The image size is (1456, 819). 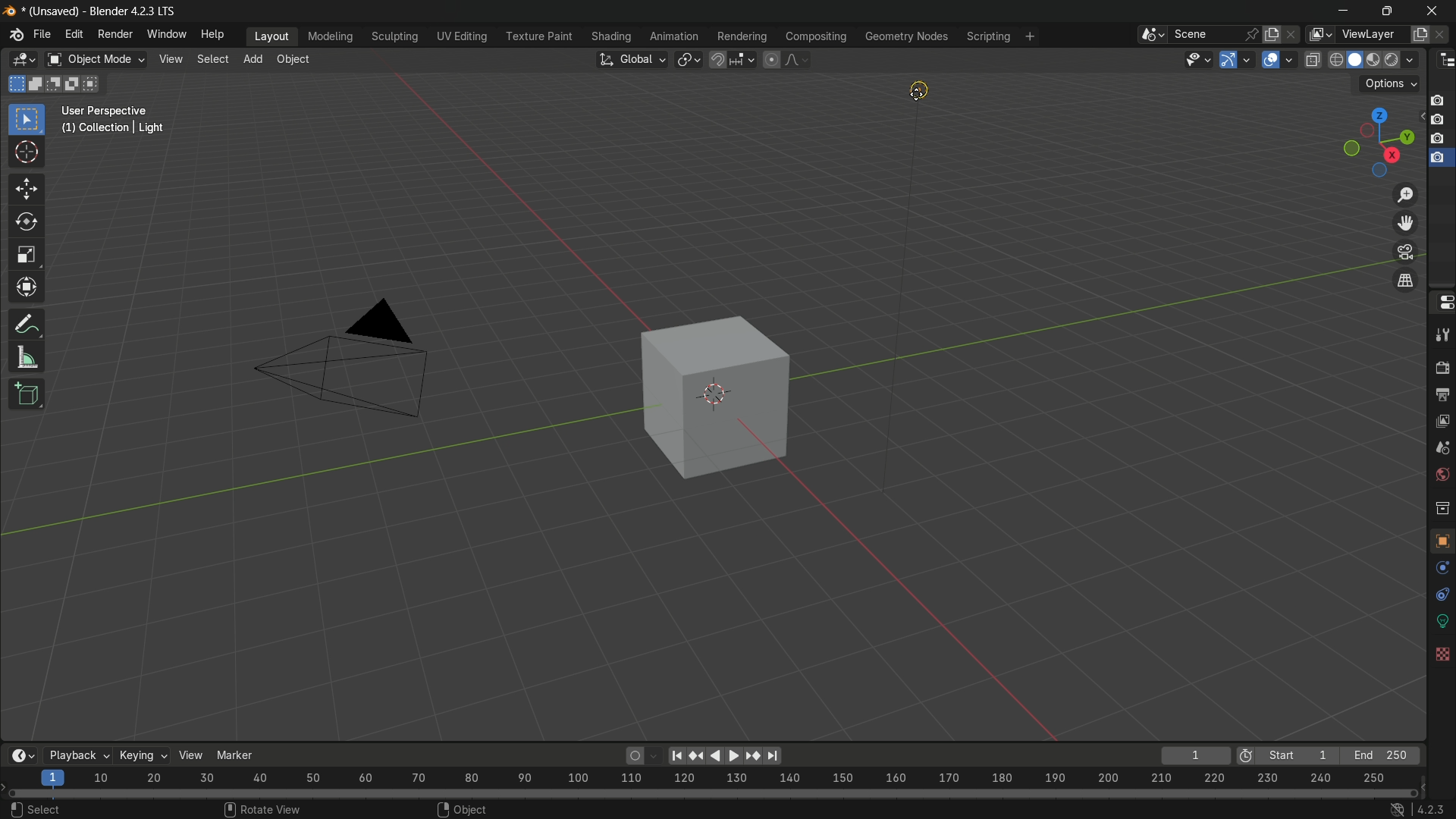 I want to click on play animation, so click(x=748, y=755).